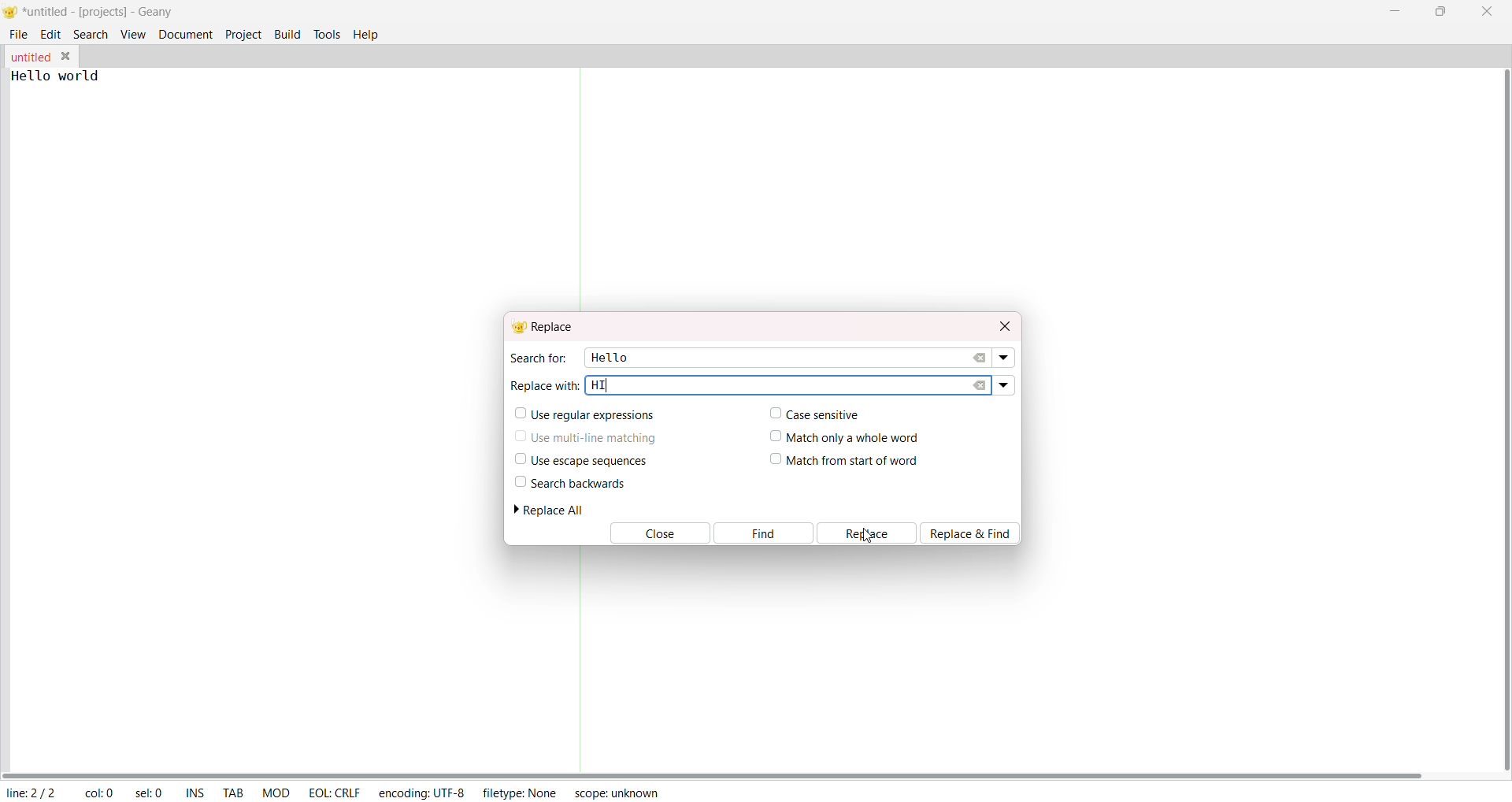 The image size is (1512, 802). I want to click on use regular expressions, so click(586, 415).